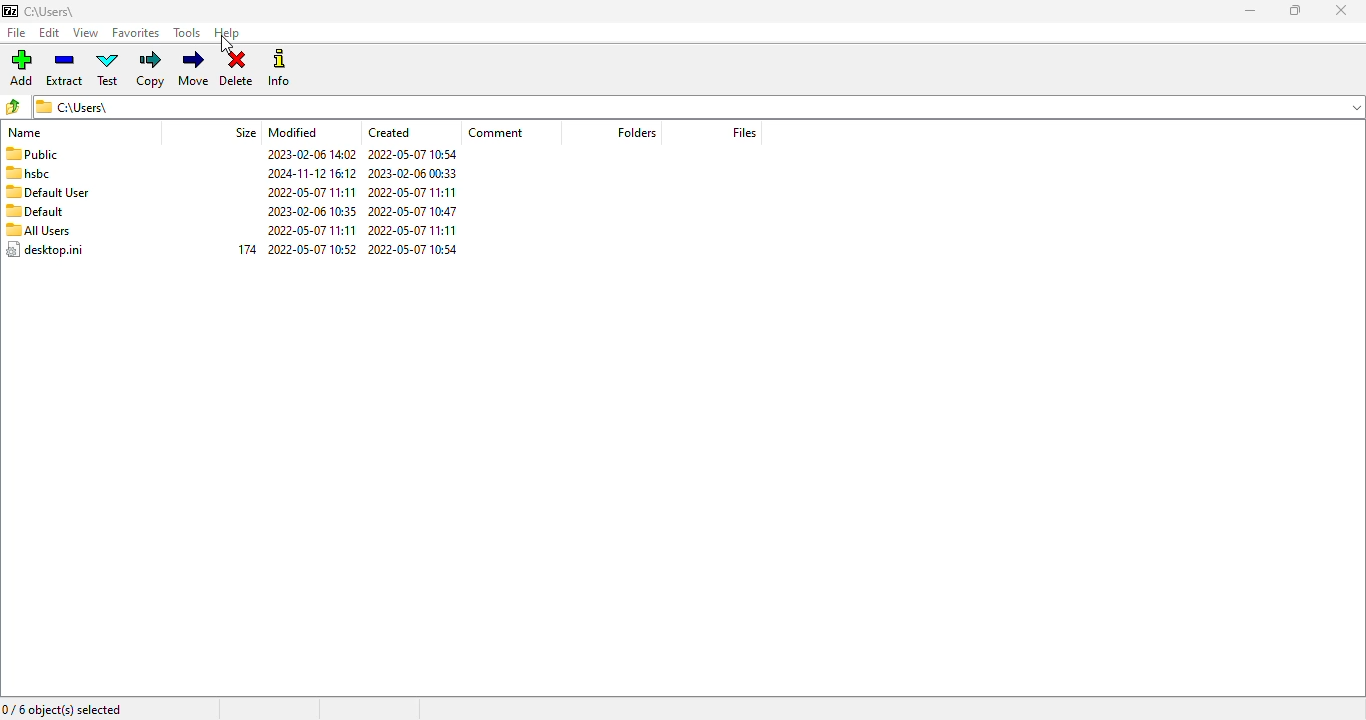 Image resolution: width=1366 pixels, height=720 pixels. I want to click on logo, so click(10, 11).